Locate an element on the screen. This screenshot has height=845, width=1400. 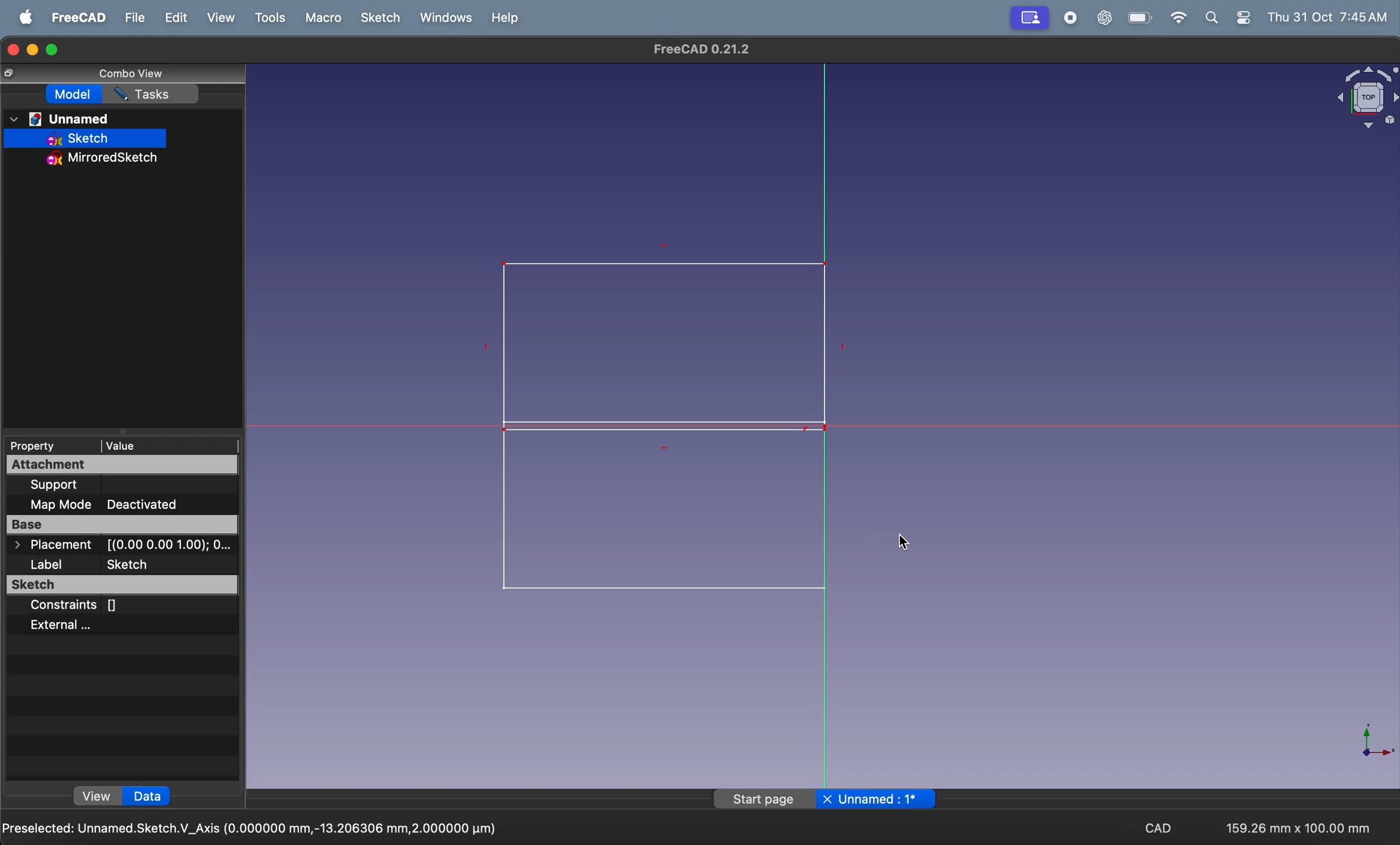
159.26 * 100.00mm is located at coordinates (1301, 826).